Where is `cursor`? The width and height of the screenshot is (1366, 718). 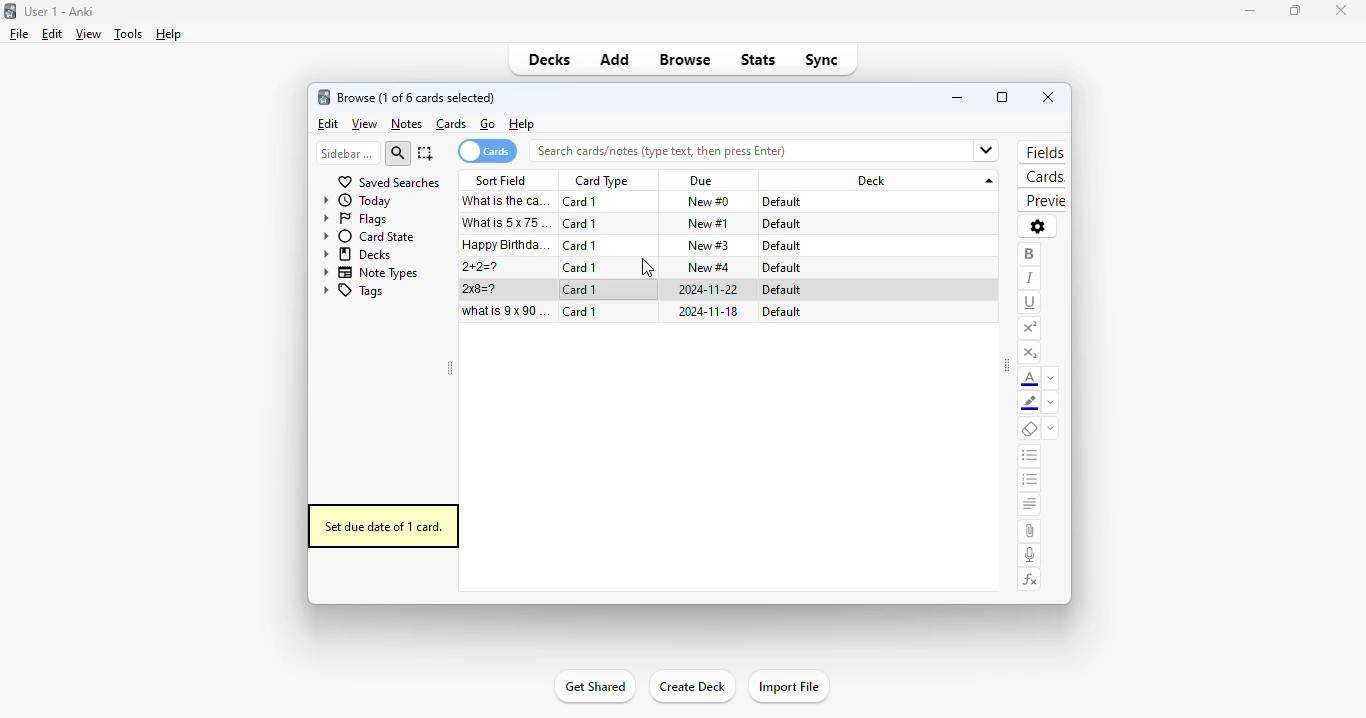 cursor is located at coordinates (647, 269).